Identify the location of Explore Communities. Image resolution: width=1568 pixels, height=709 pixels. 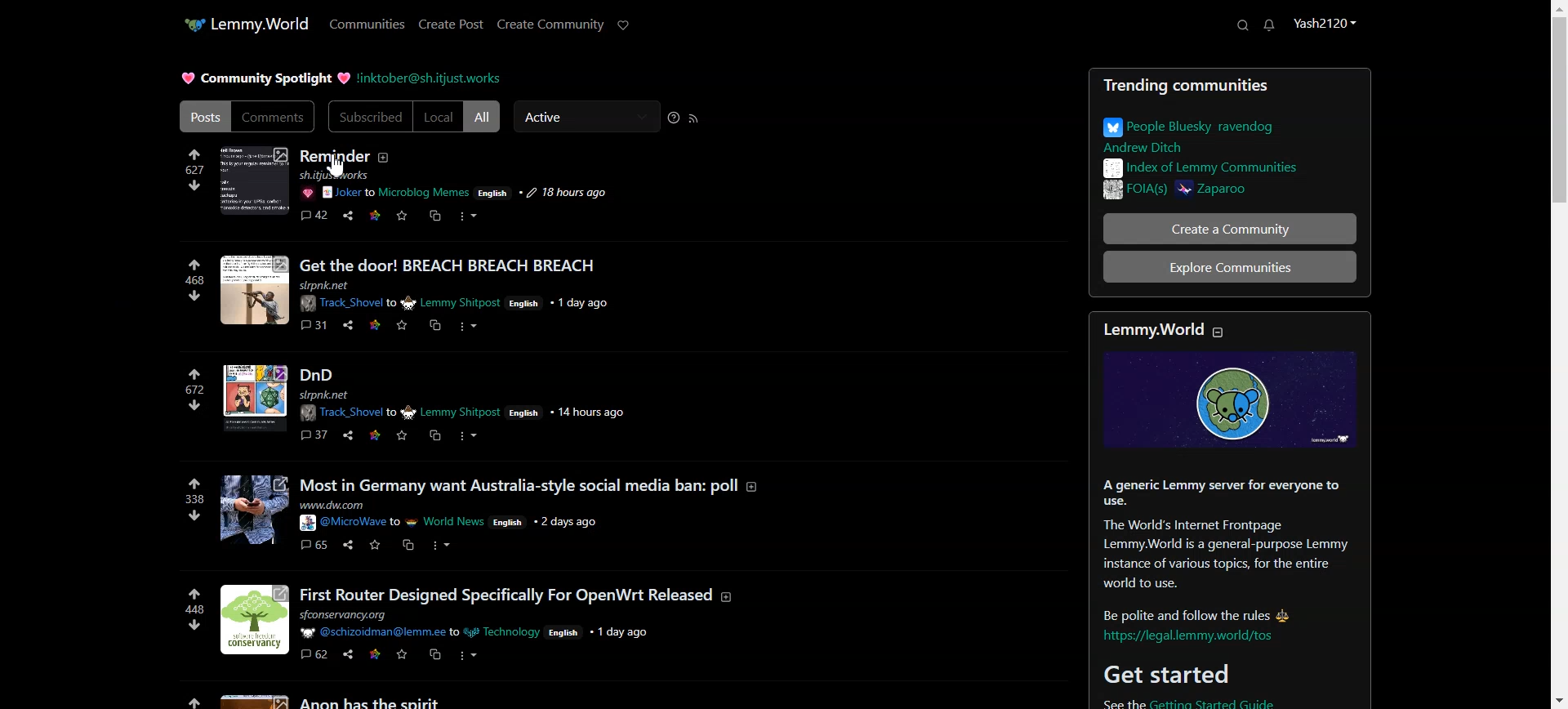
(1231, 266).